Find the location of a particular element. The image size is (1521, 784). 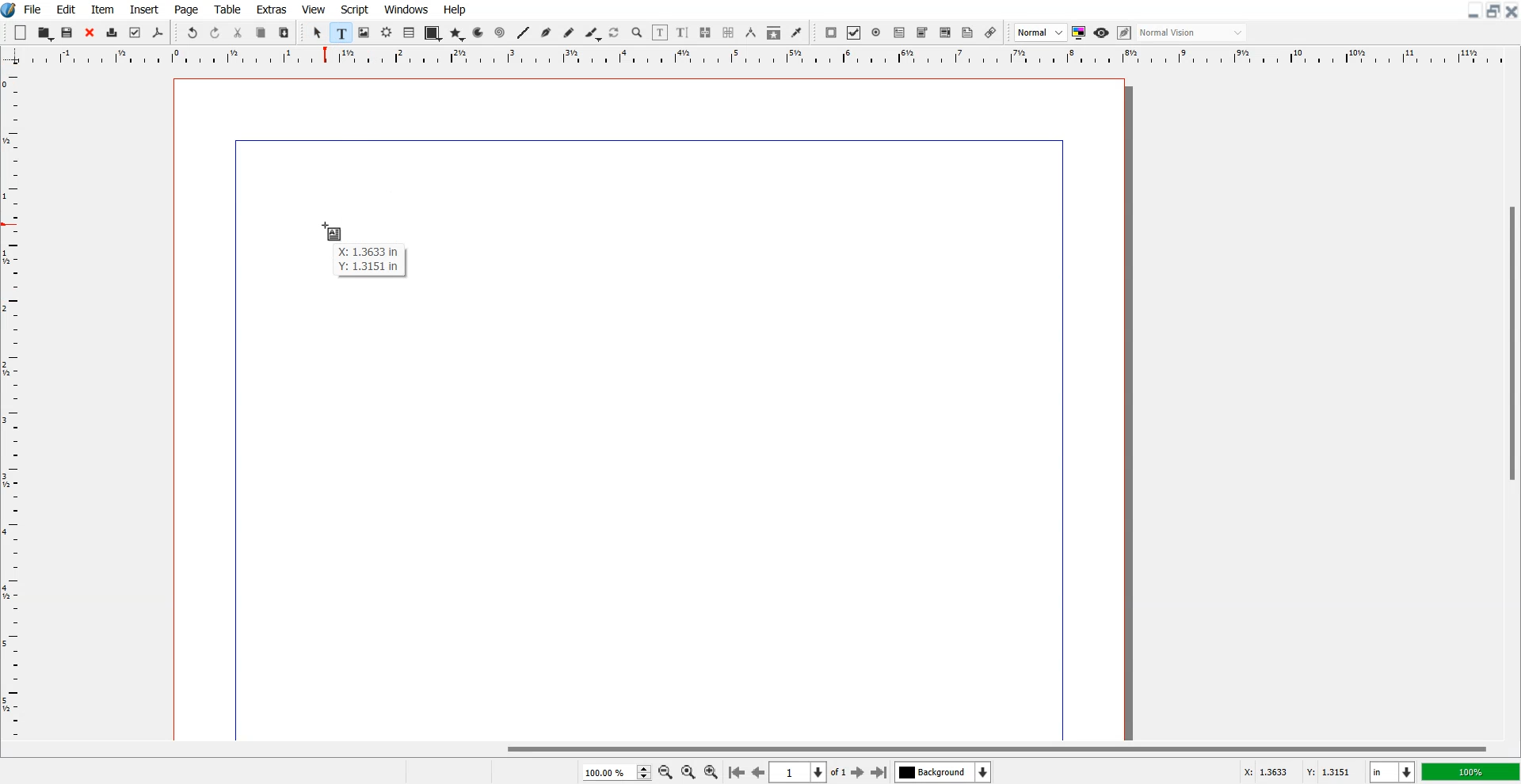

File is located at coordinates (34, 9).